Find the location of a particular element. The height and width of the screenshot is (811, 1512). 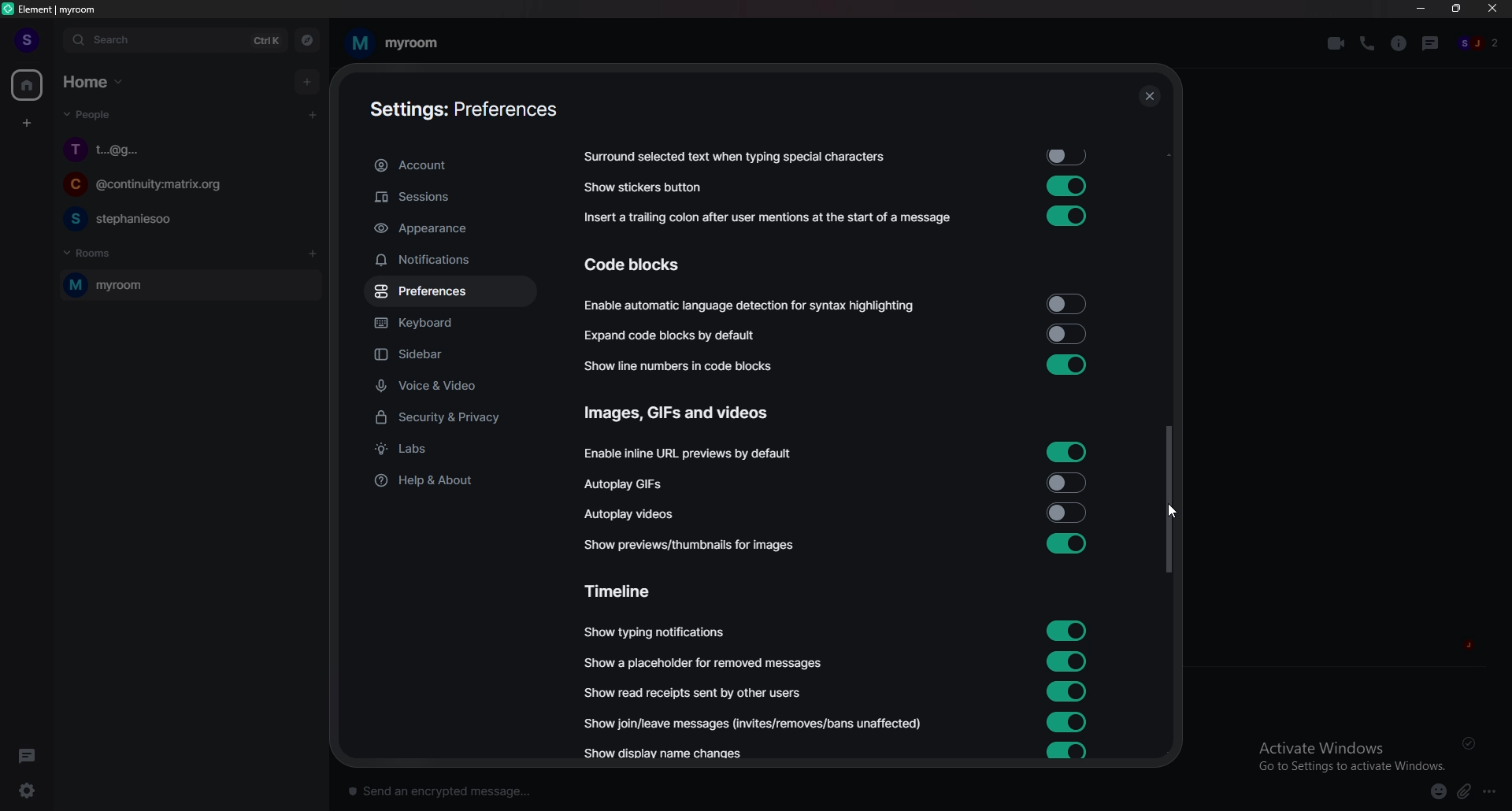

explore room is located at coordinates (308, 40).